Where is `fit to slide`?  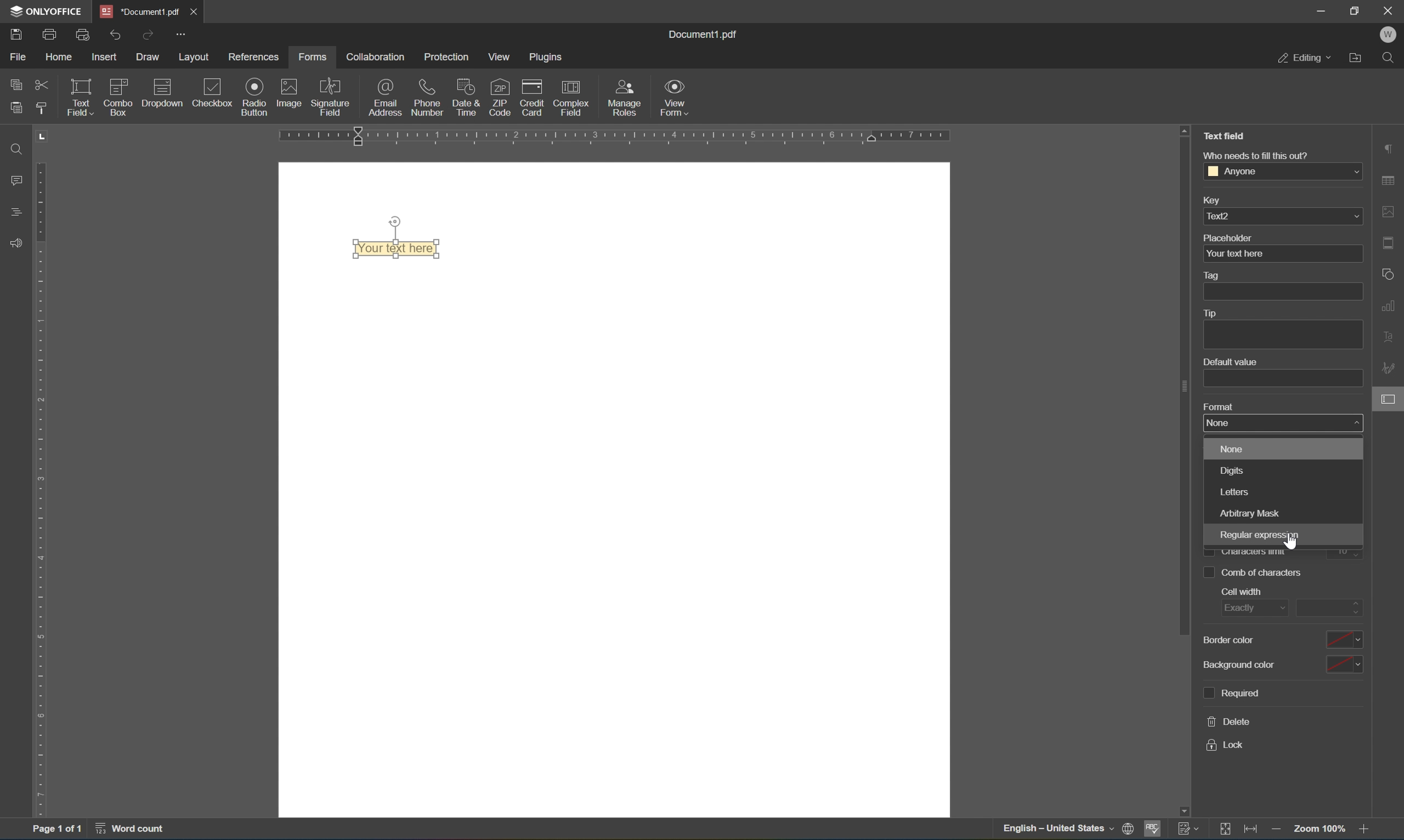 fit to slide is located at coordinates (1222, 832).